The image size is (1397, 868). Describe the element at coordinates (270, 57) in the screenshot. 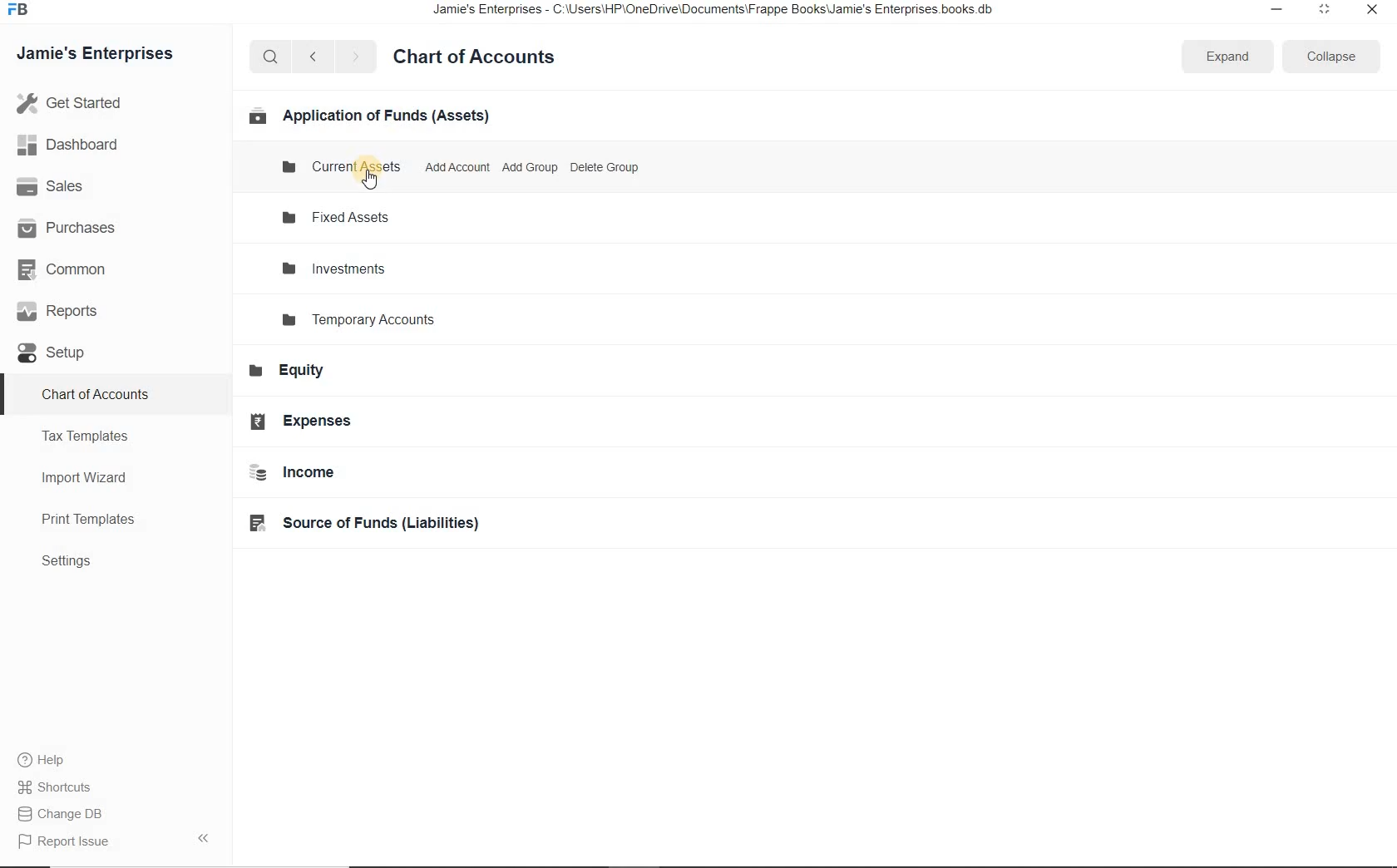

I see `search` at that location.